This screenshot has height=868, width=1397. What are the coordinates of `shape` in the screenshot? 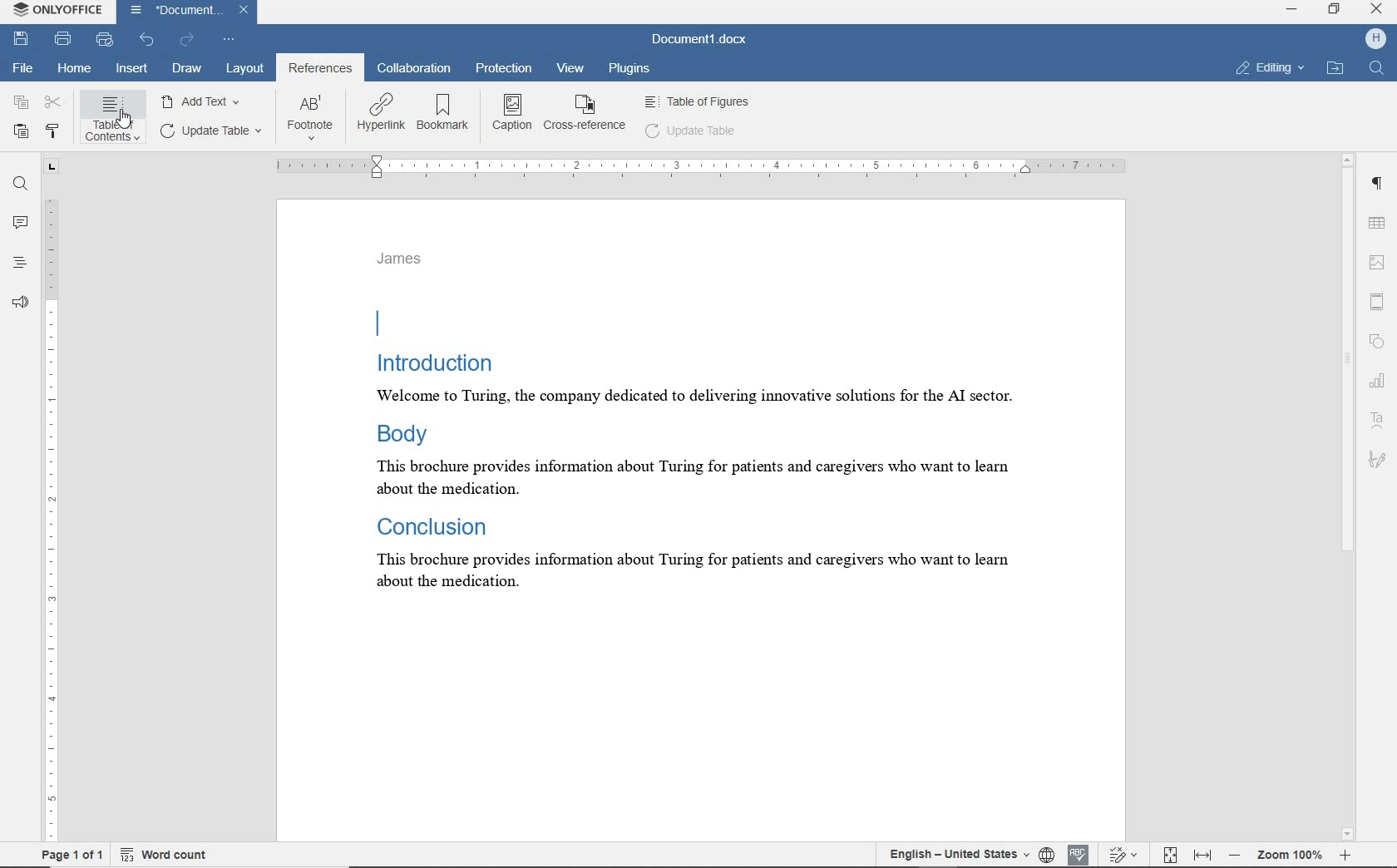 It's located at (1378, 341).